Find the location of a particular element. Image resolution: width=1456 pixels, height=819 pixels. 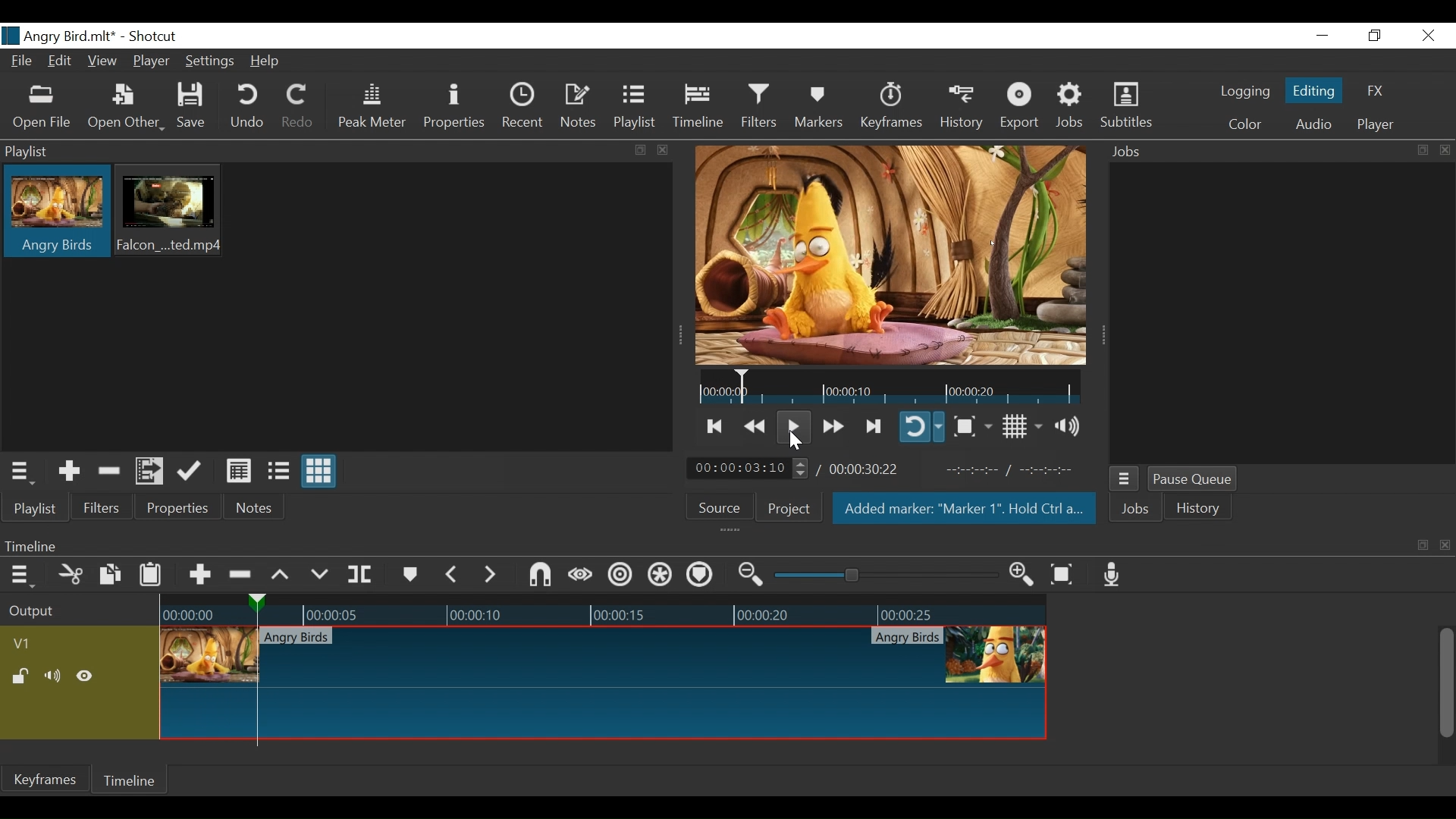

Shotcut is located at coordinates (152, 36).